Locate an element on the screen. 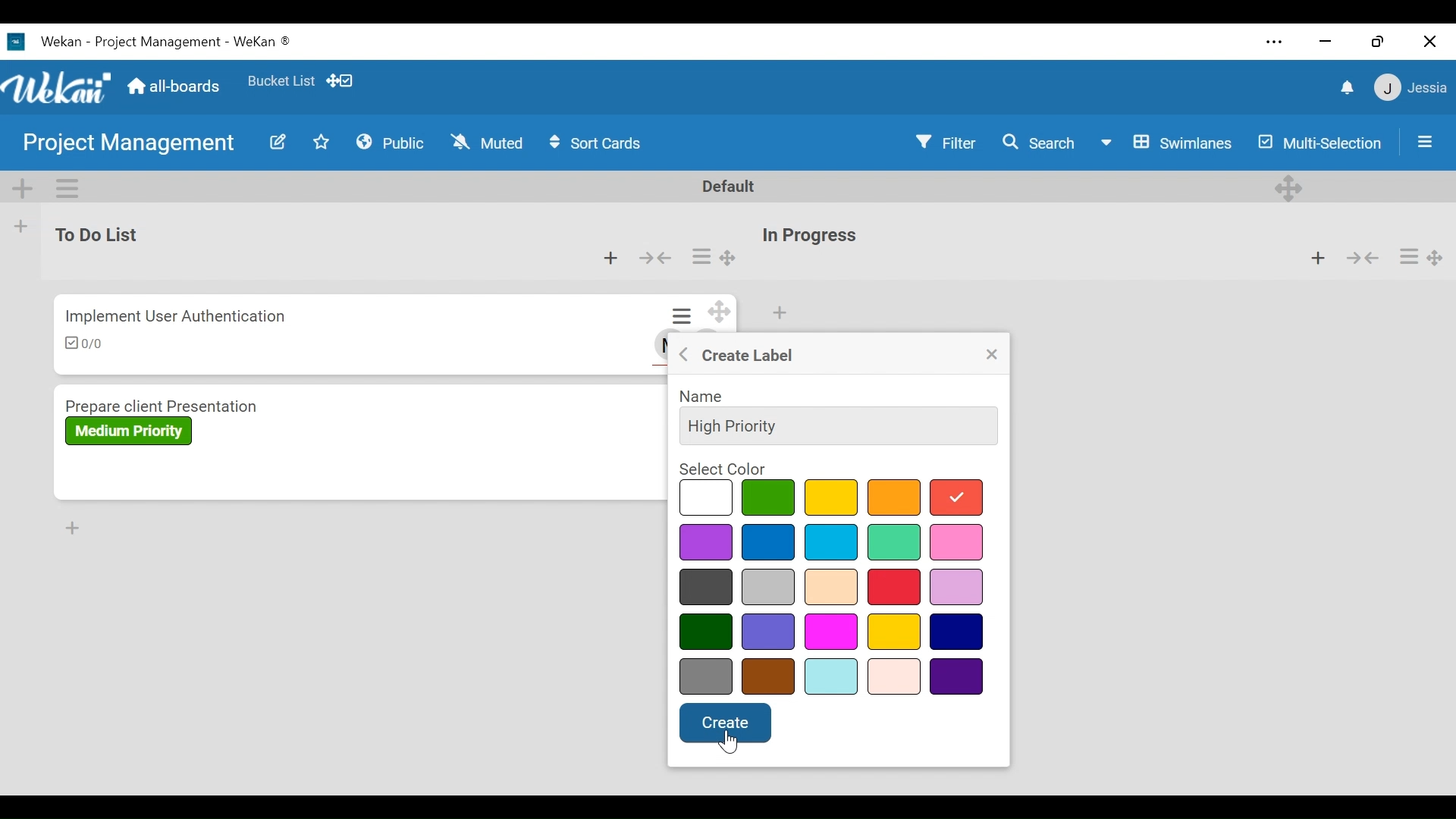 The width and height of the screenshot is (1456, 819). close is located at coordinates (1429, 42).